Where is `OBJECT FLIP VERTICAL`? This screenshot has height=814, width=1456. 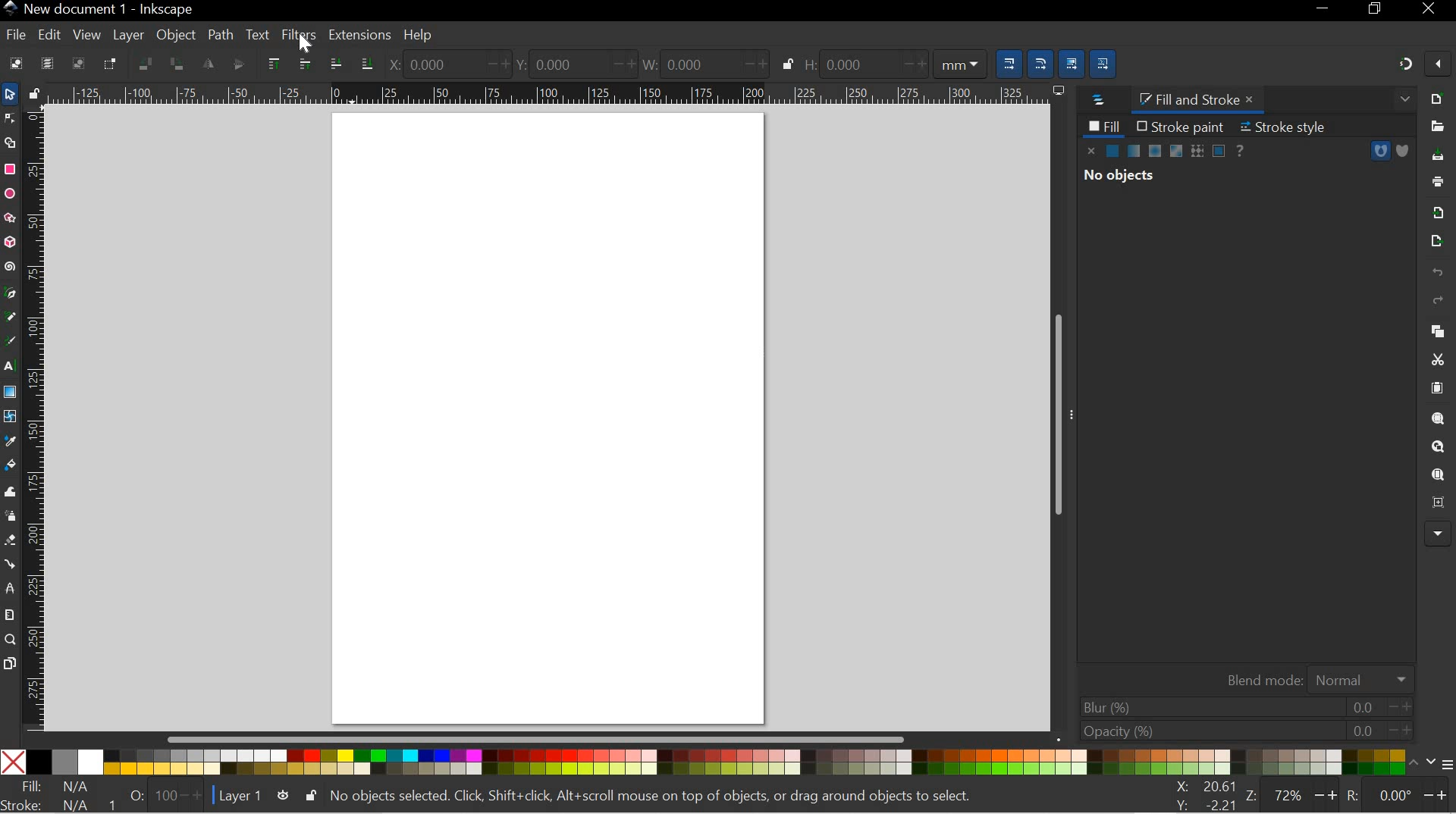 OBJECT FLIP VERTICAL is located at coordinates (237, 64).